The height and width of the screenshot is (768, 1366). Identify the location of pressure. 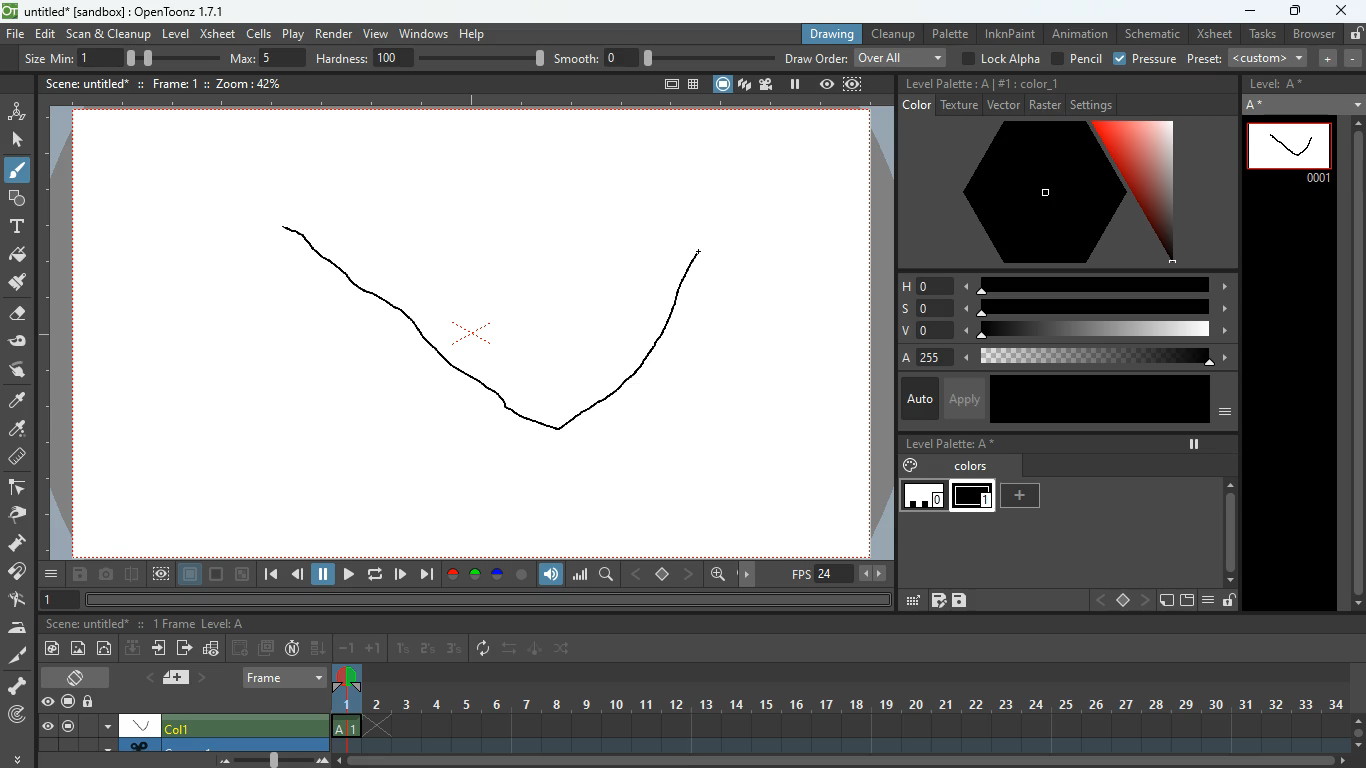
(1147, 60).